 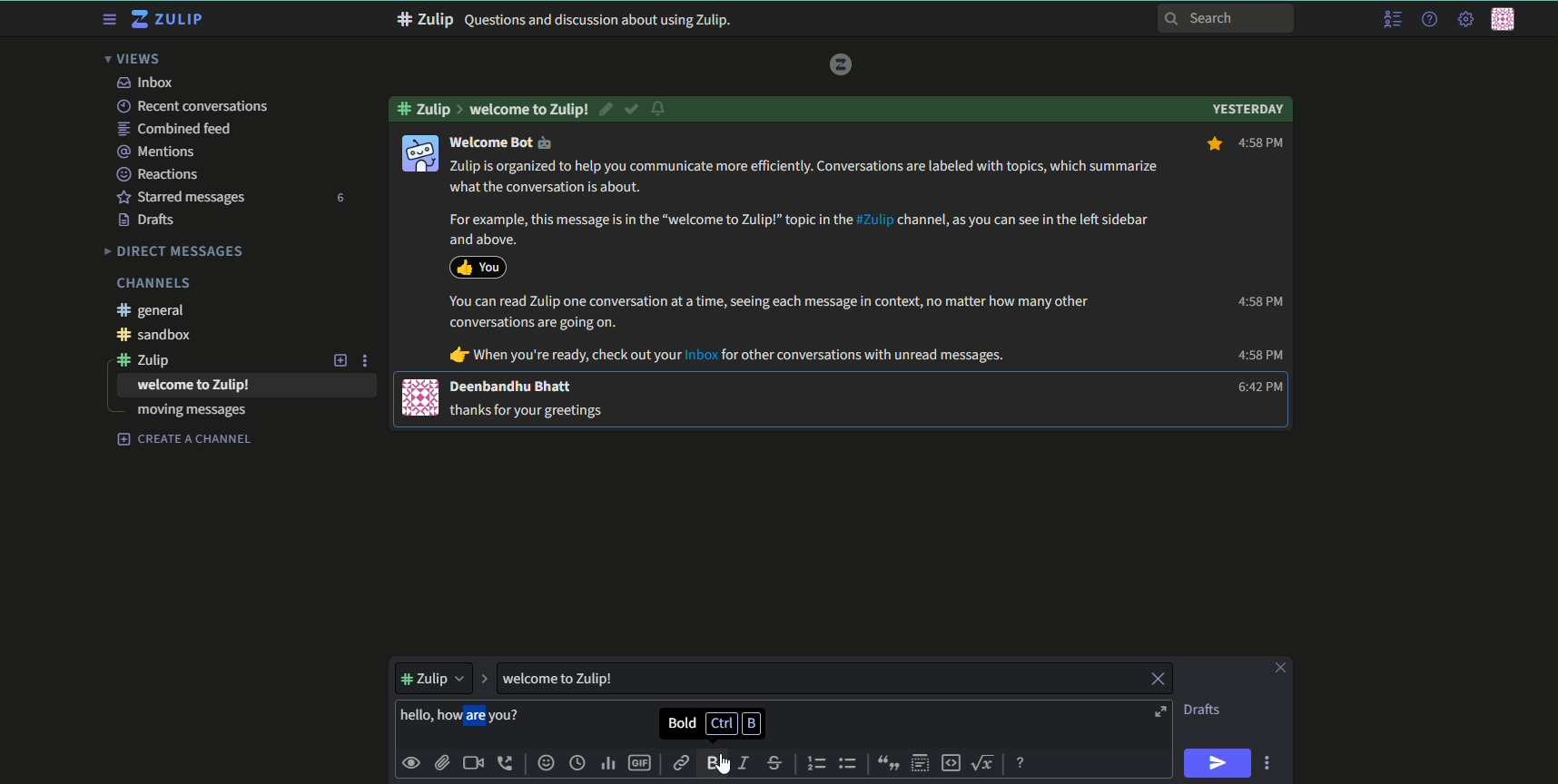 What do you see at coordinates (807, 179) in the screenshot?
I see ` Zulip is organized to help you communicate more efficiently. Conversations are labeled with topics, which summarize what the conversation is about.` at bounding box center [807, 179].